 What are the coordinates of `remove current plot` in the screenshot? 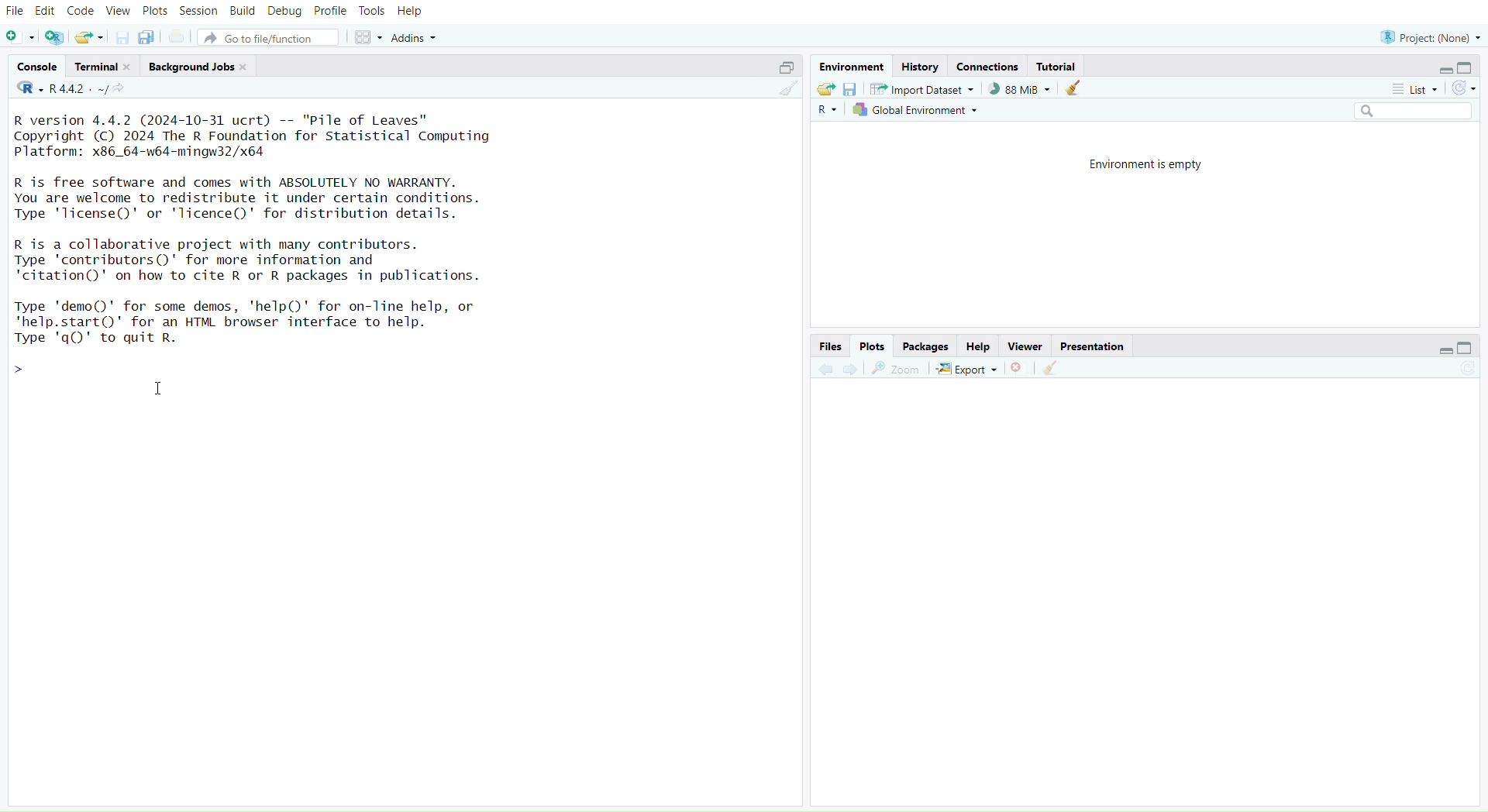 It's located at (1019, 368).